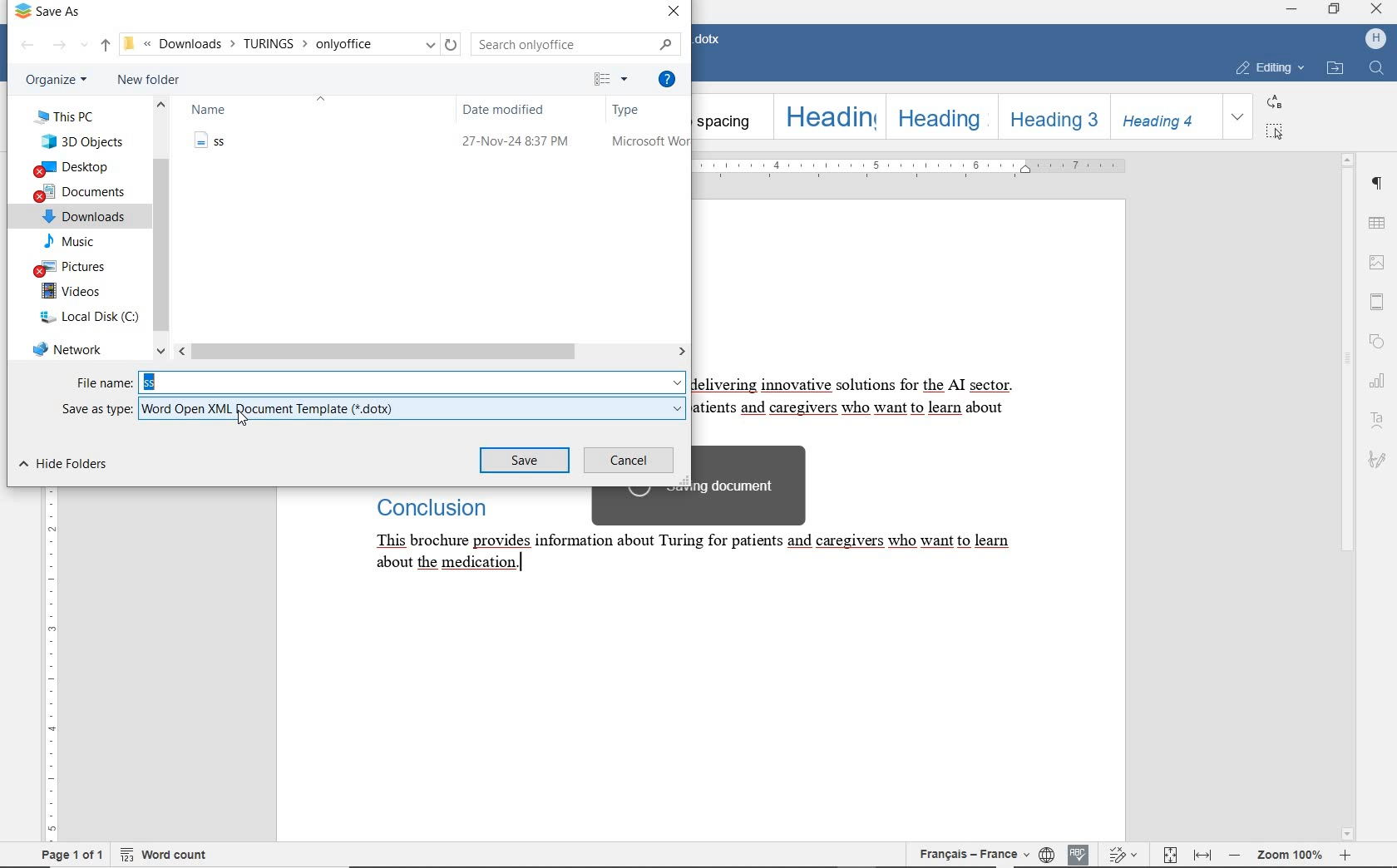 The image size is (1397, 868). Describe the element at coordinates (1202, 855) in the screenshot. I see `FIT TO WIDTH` at that location.